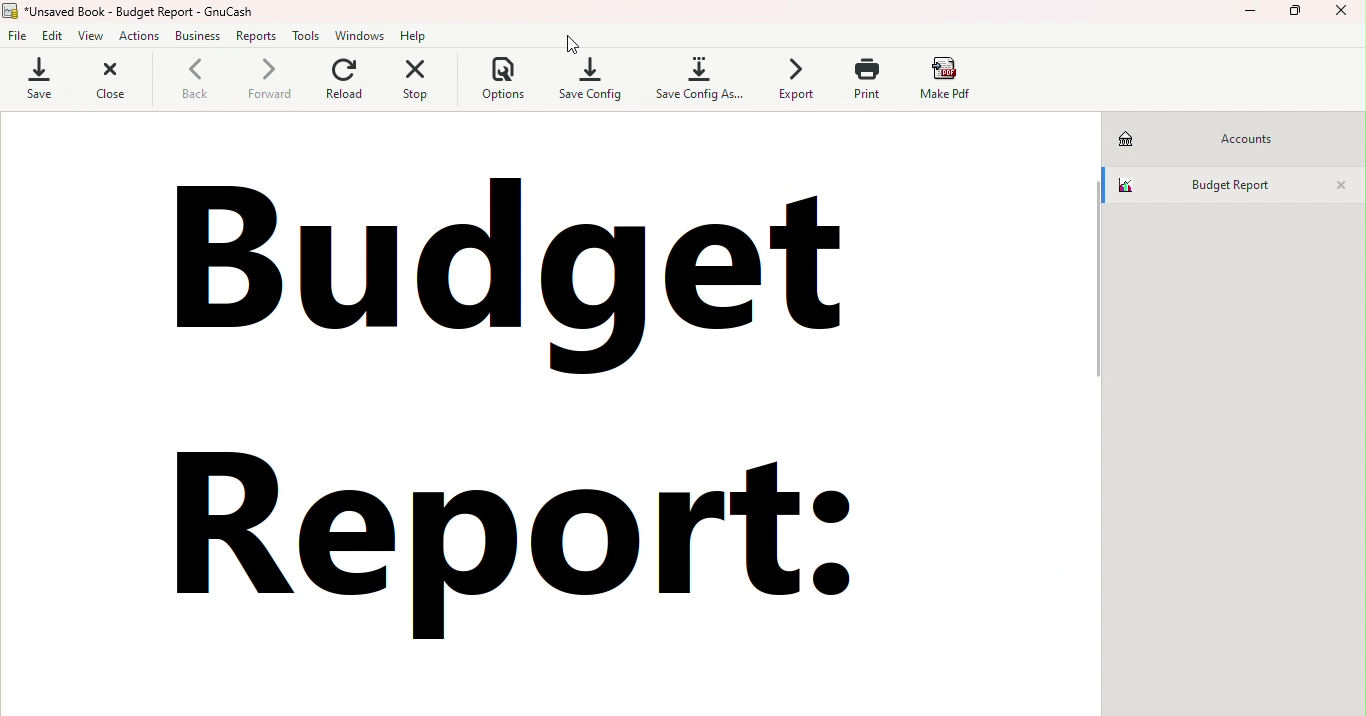 Image resolution: width=1366 pixels, height=716 pixels. Describe the element at coordinates (1340, 183) in the screenshot. I see `Close` at that location.